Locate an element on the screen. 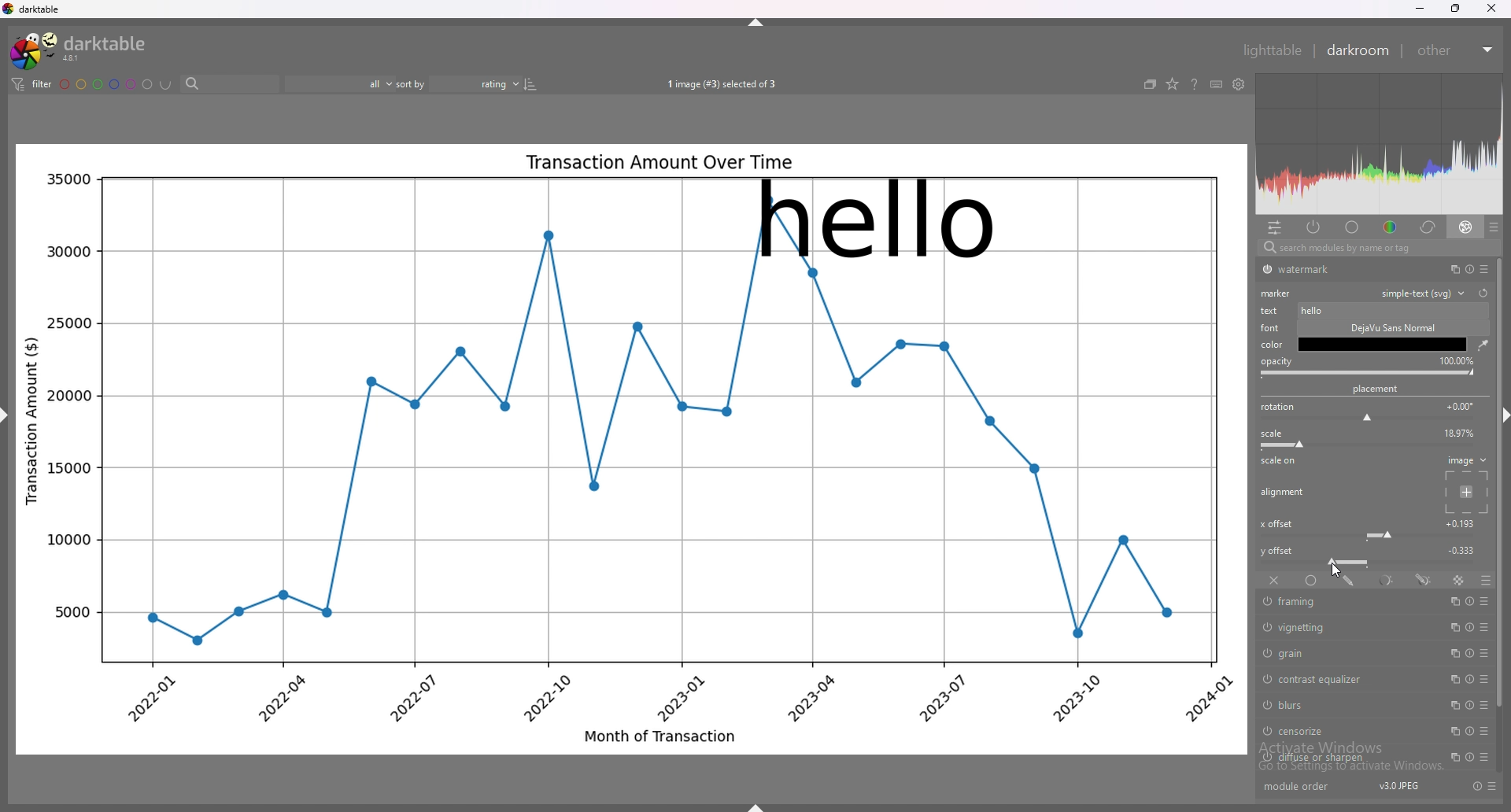  sort by is located at coordinates (458, 82).